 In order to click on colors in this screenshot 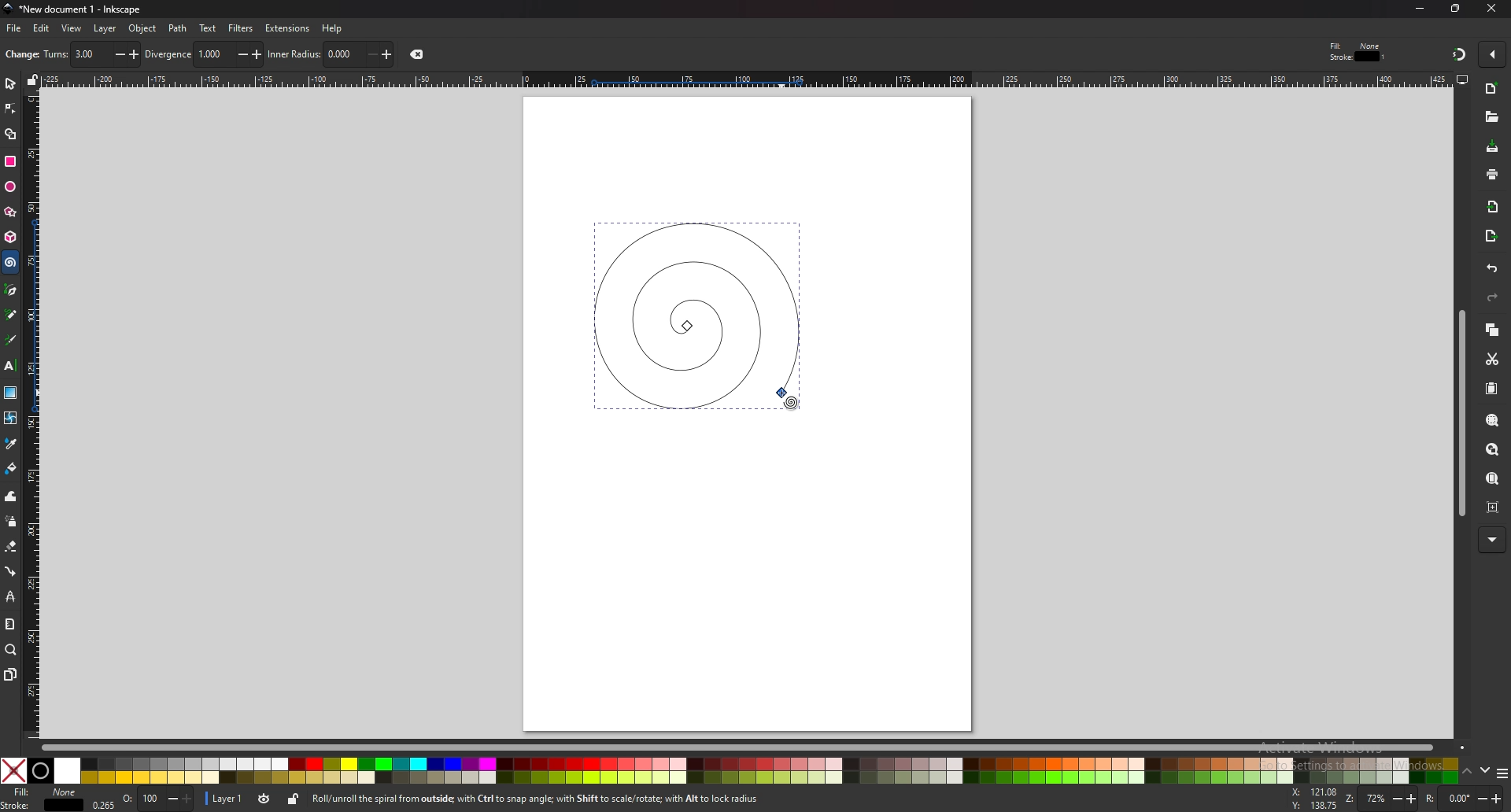, I will do `click(730, 770)`.